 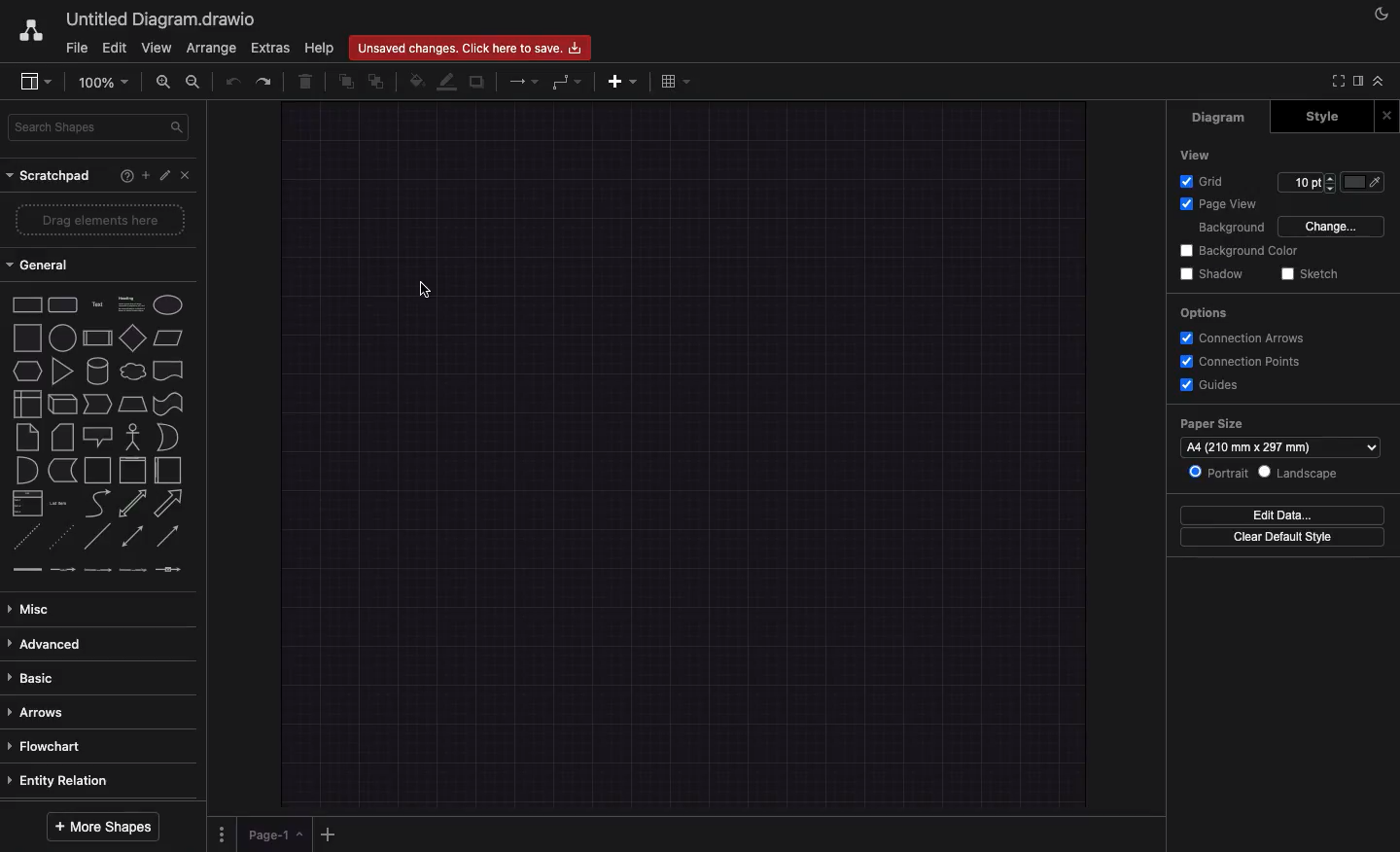 What do you see at coordinates (675, 80) in the screenshot?
I see `Table` at bounding box center [675, 80].